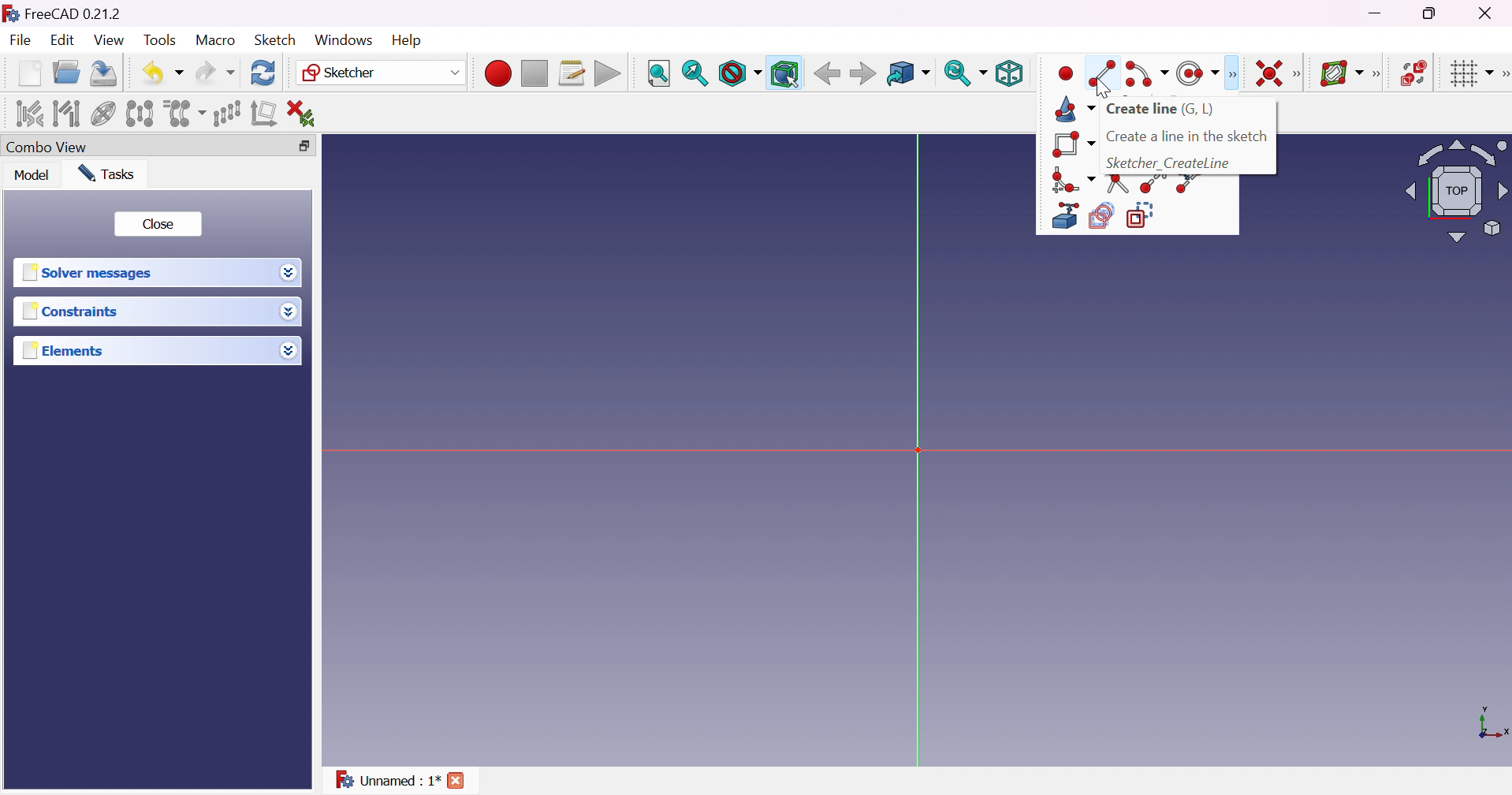 The image size is (1512, 795). I want to click on Tools, so click(159, 41).